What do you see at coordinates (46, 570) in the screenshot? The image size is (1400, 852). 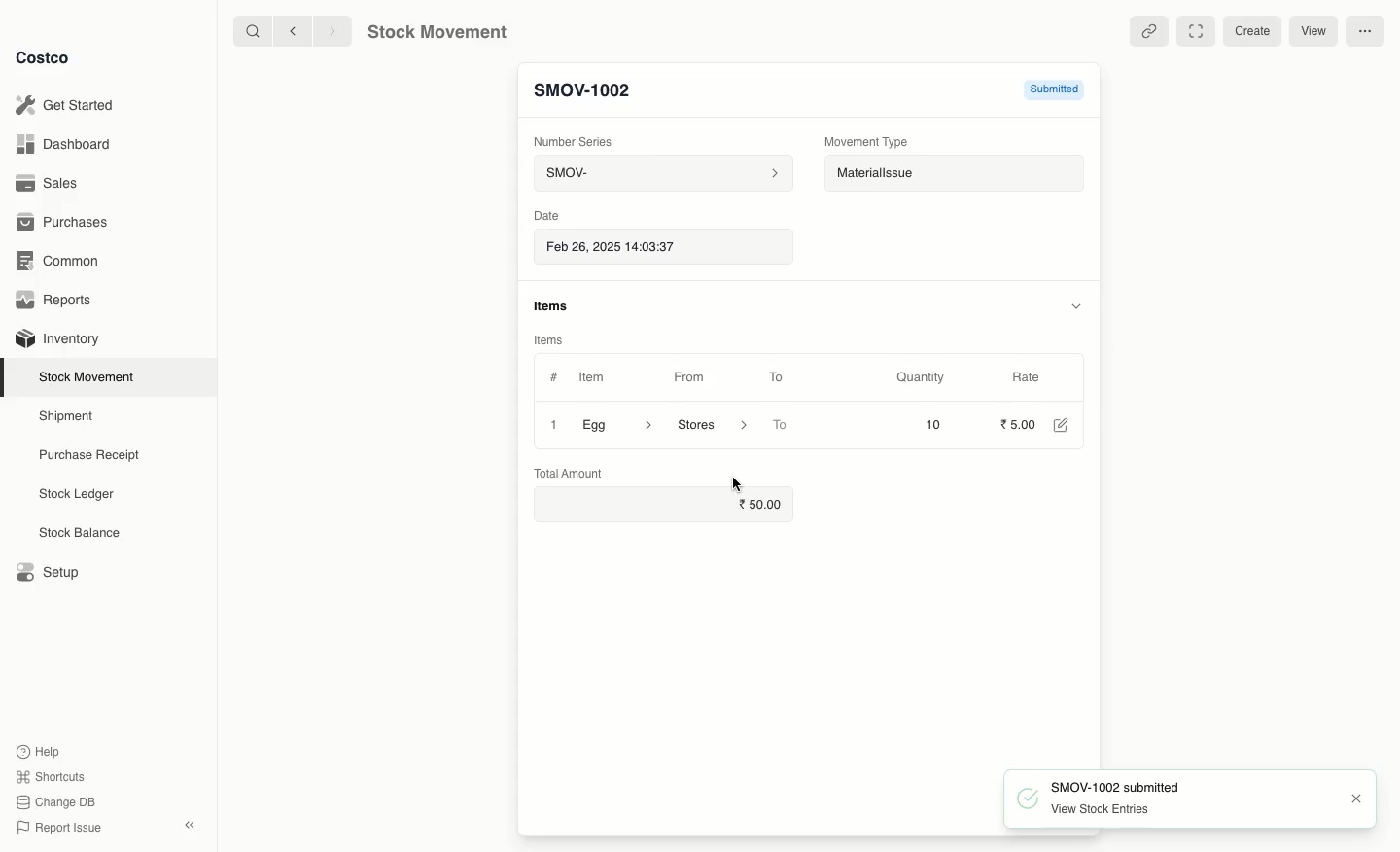 I see `Setup` at bounding box center [46, 570].